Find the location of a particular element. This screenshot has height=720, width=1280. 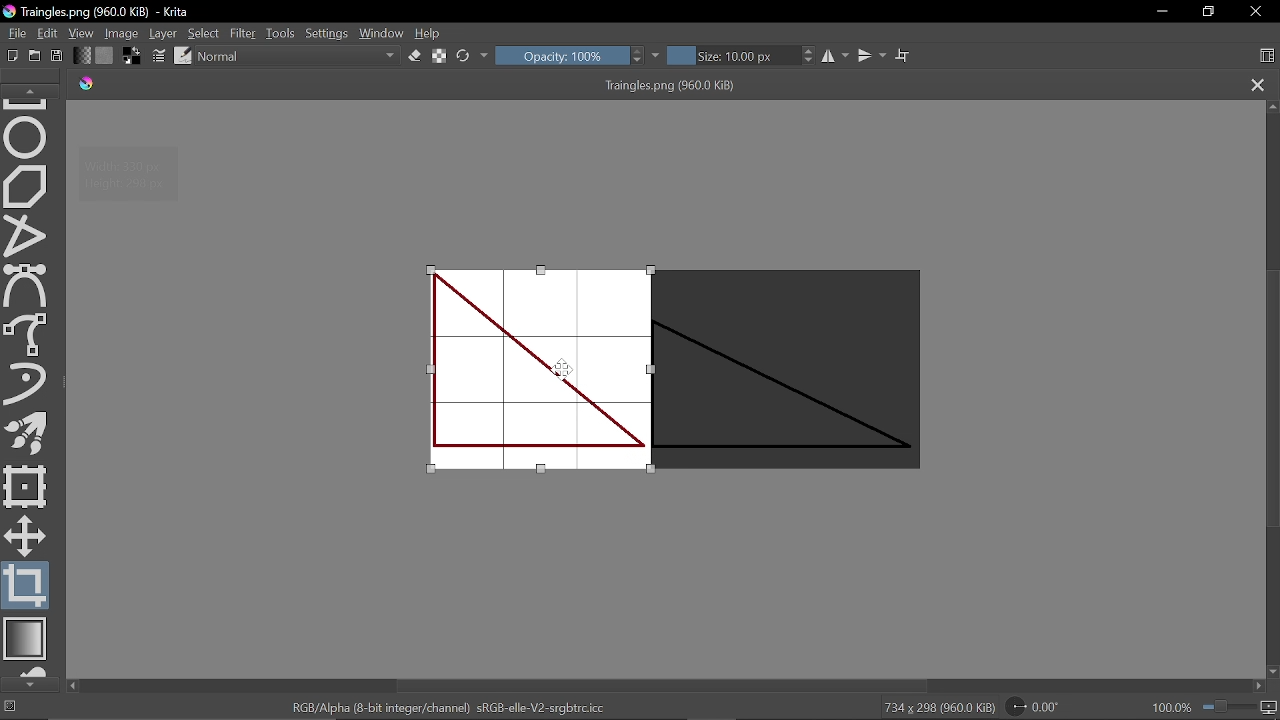

"RGB/Alpha (8-bit integer/channel) sRGB-elle-V2-srgbtrc.icc is located at coordinates (448, 707).